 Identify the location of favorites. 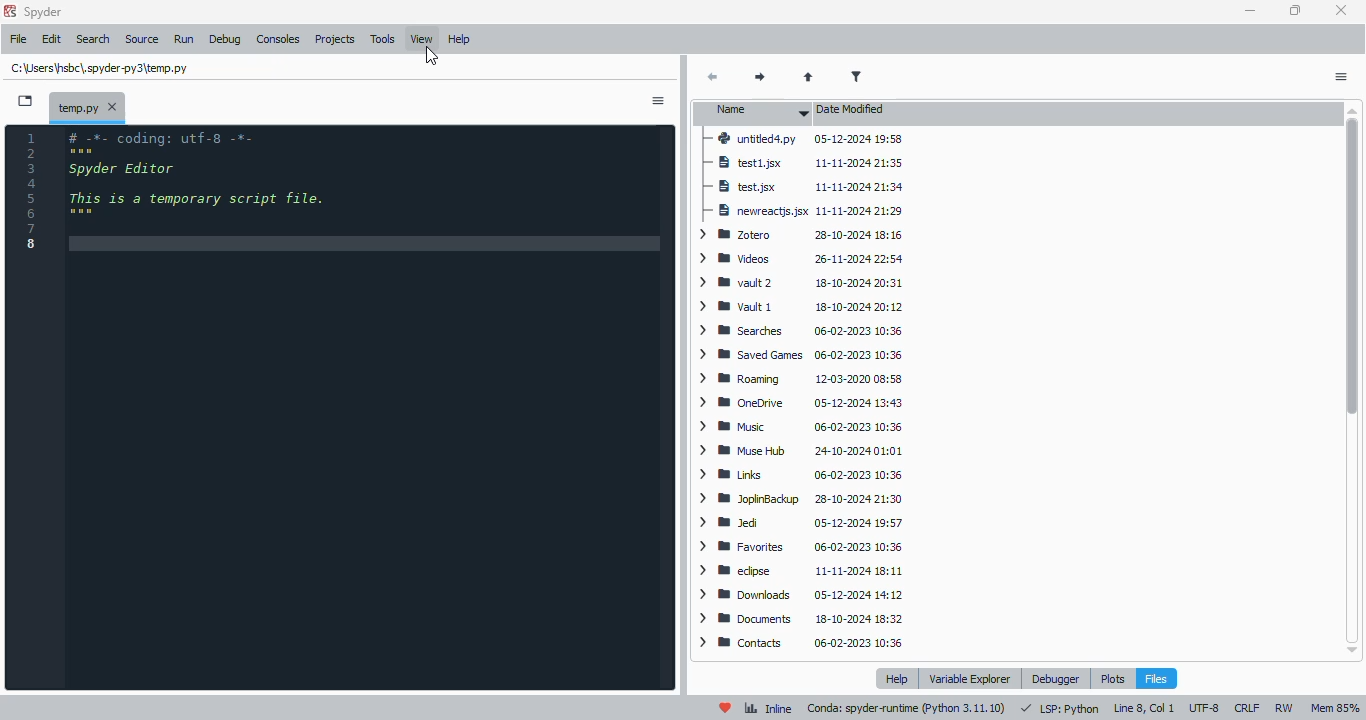
(799, 548).